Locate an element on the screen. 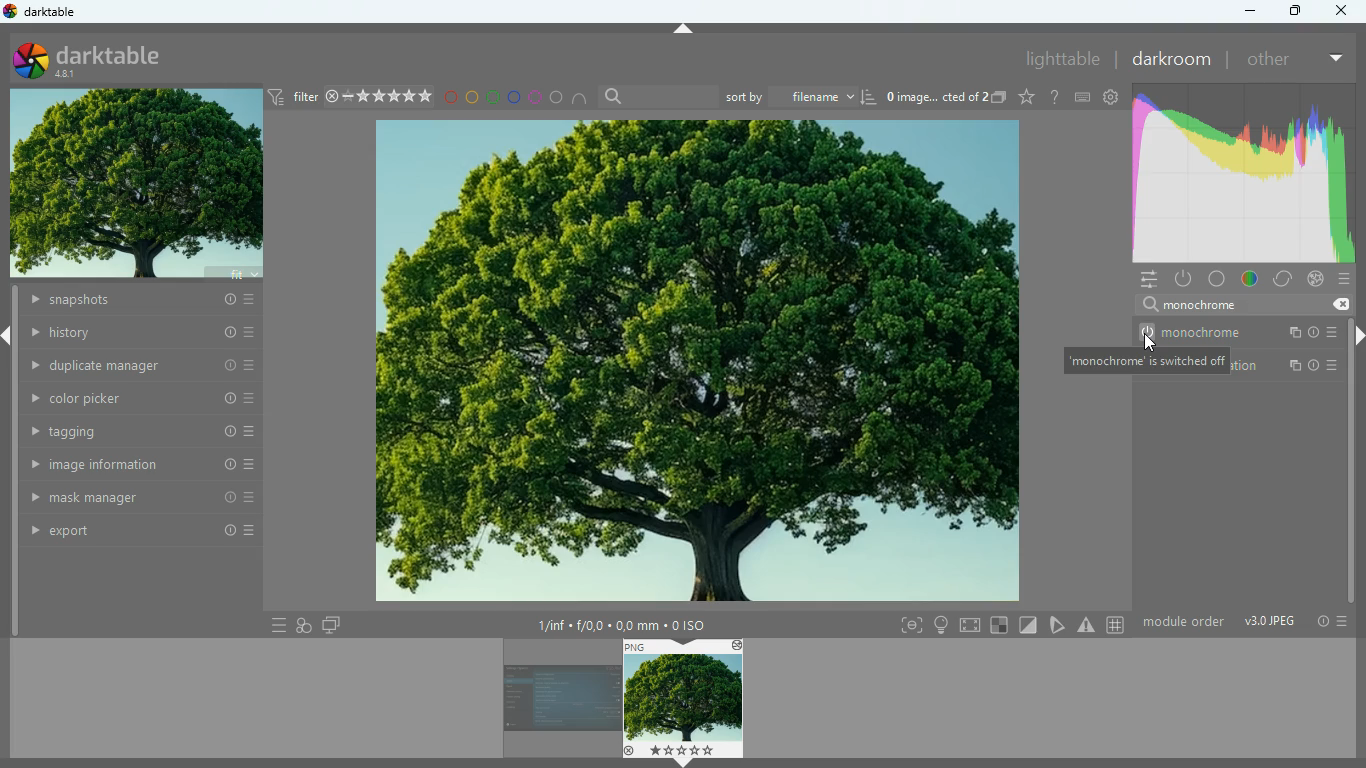 The width and height of the screenshot is (1366, 768). overlap is located at coordinates (306, 626).